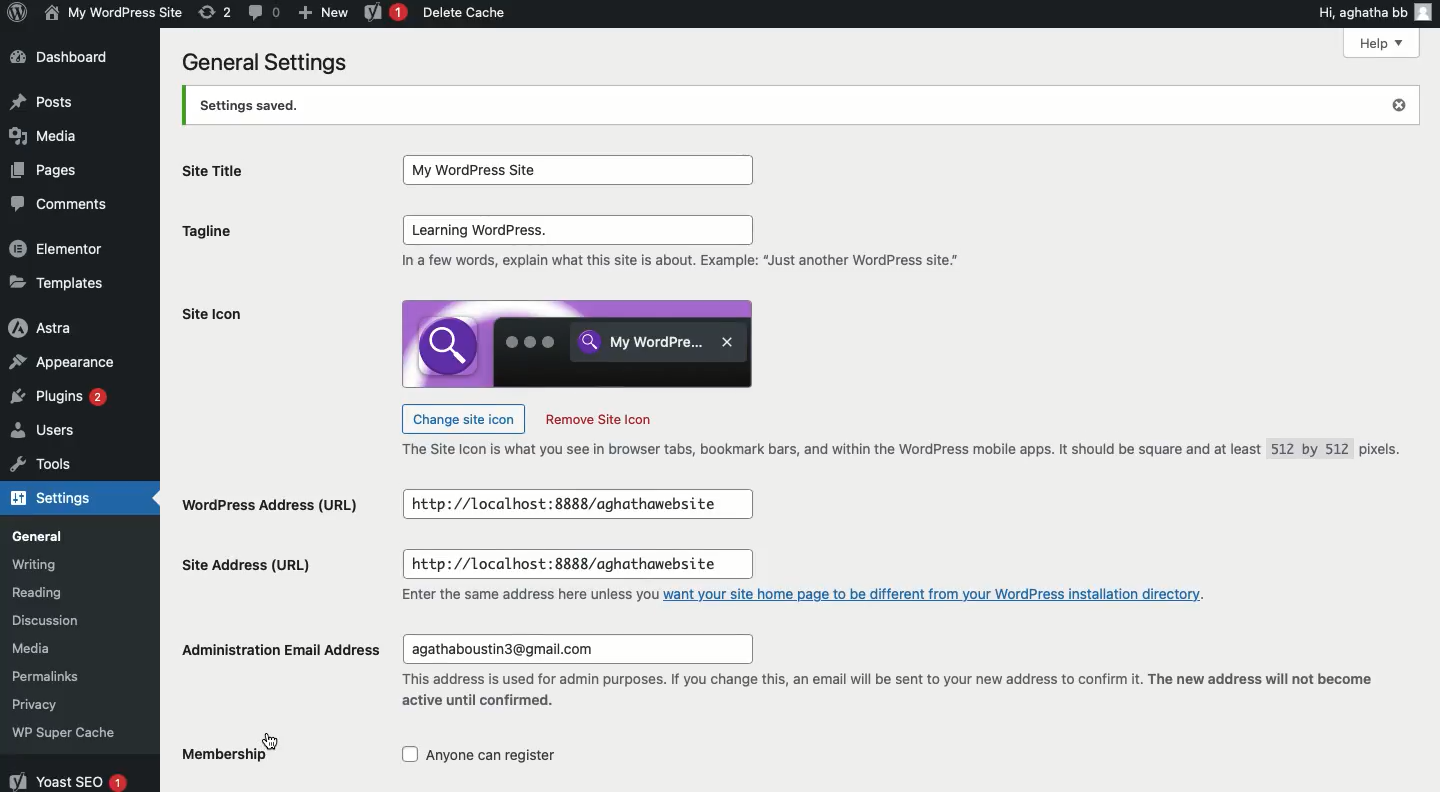 The image size is (1440, 792). What do you see at coordinates (383, 13) in the screenshot?
I see `Yoast 1` at bounding box center [383, 13].